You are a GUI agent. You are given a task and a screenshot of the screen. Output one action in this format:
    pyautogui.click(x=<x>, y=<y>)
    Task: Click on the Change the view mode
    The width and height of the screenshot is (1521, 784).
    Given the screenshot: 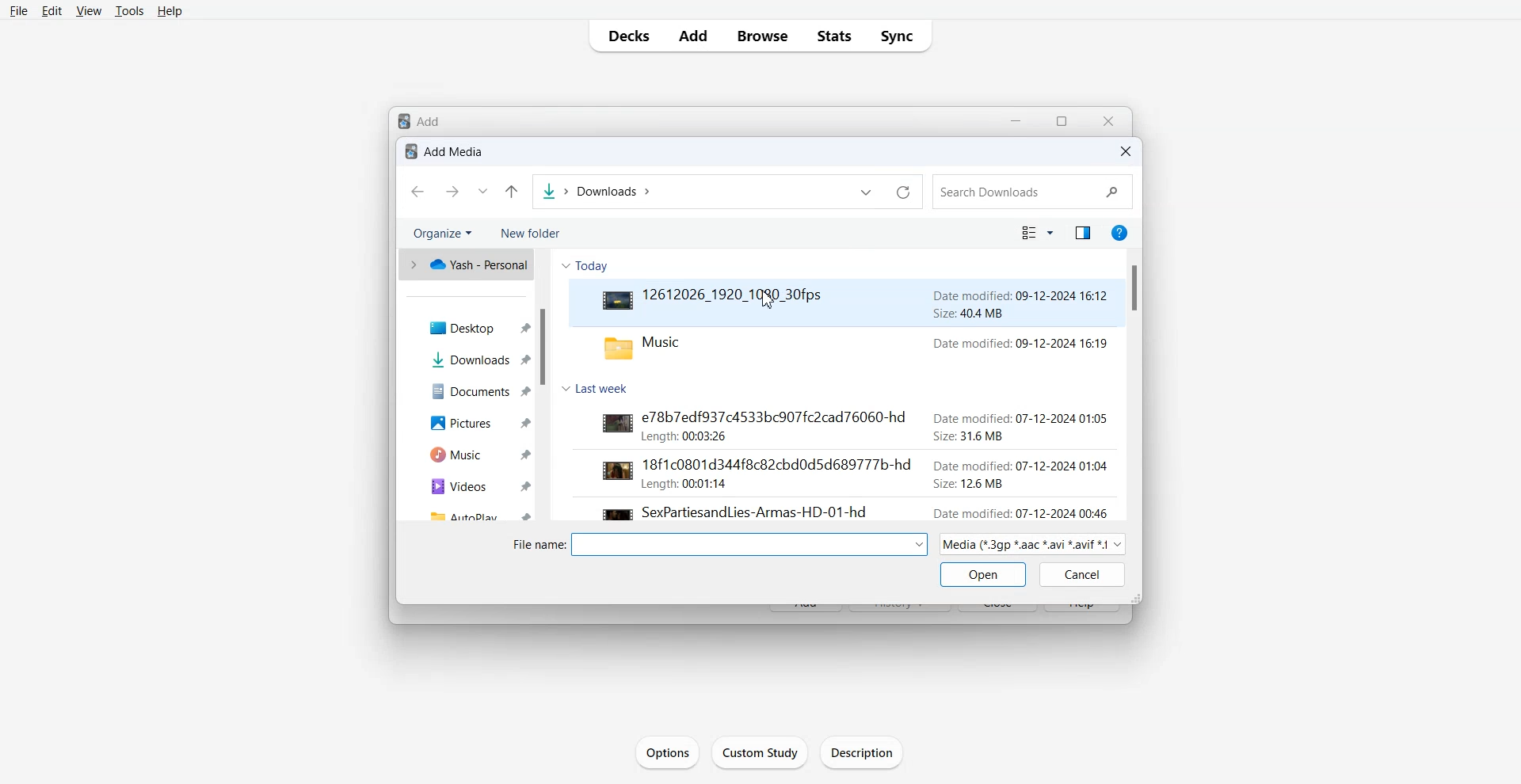 What is the action you would take?
    pyautogui.click(x=1035, y=231)
    